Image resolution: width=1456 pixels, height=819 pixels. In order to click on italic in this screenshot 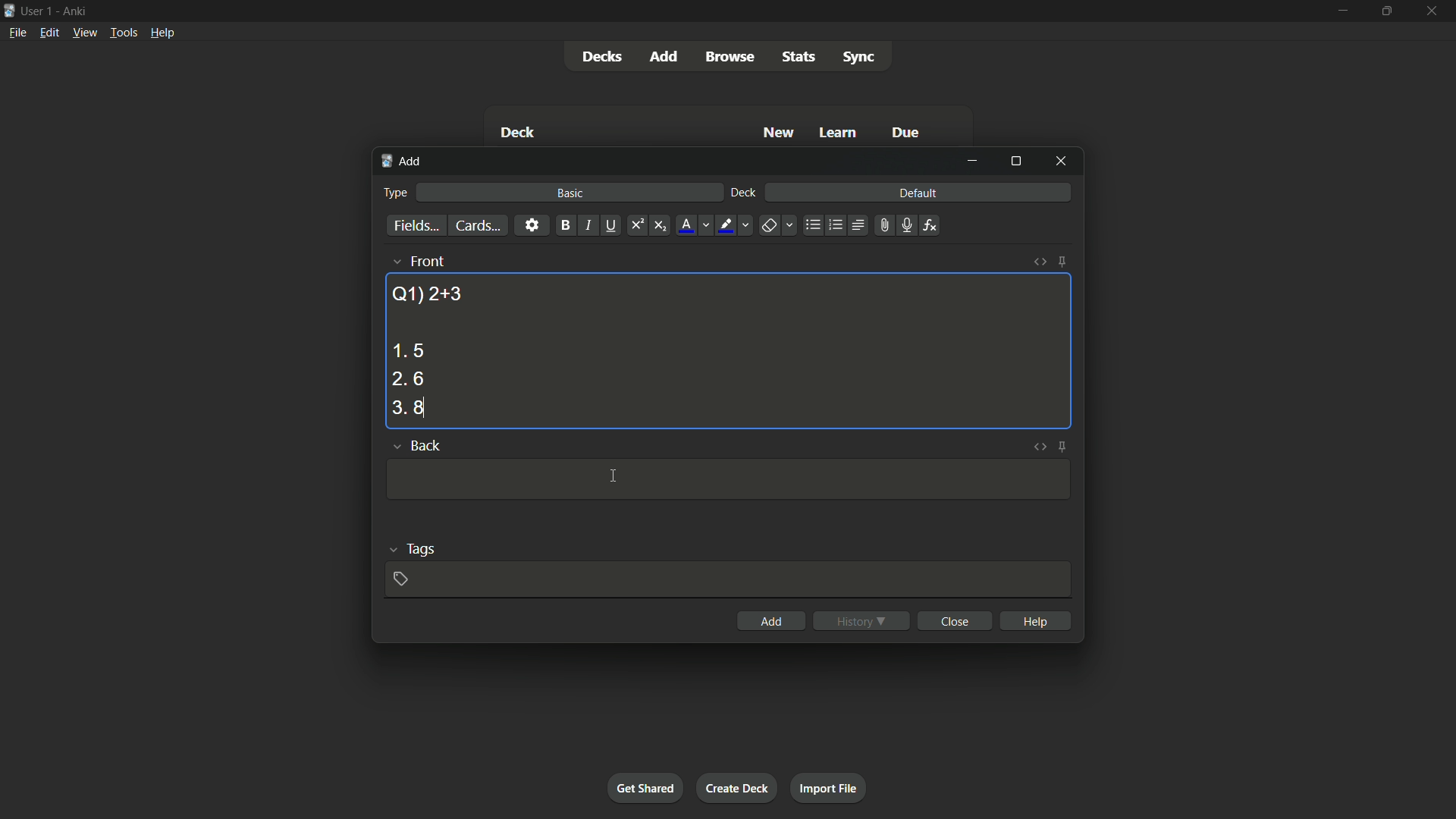, I will do `click(587, 225)`.